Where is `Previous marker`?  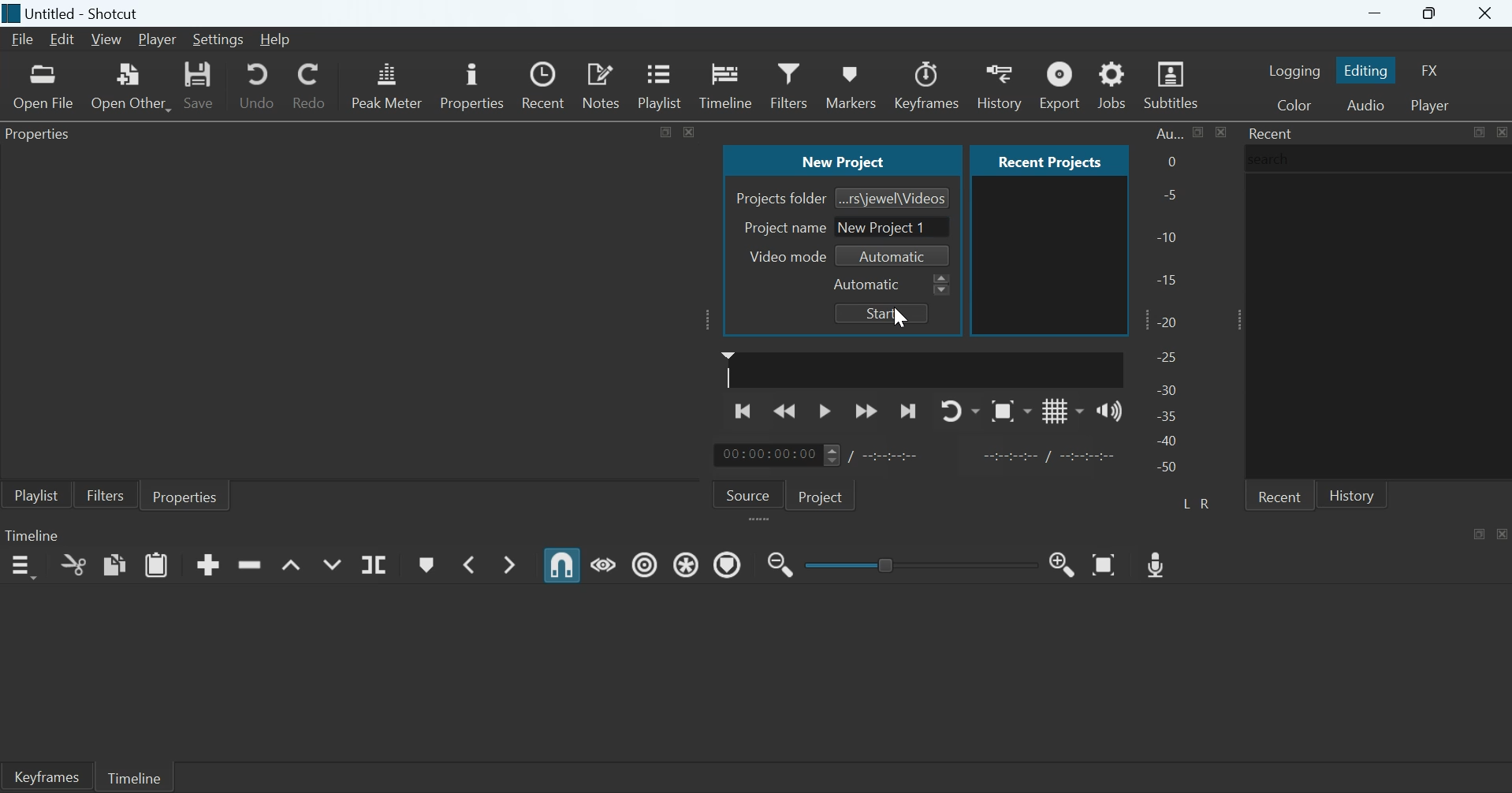
Previous marker is located at coordinates (467, 564).